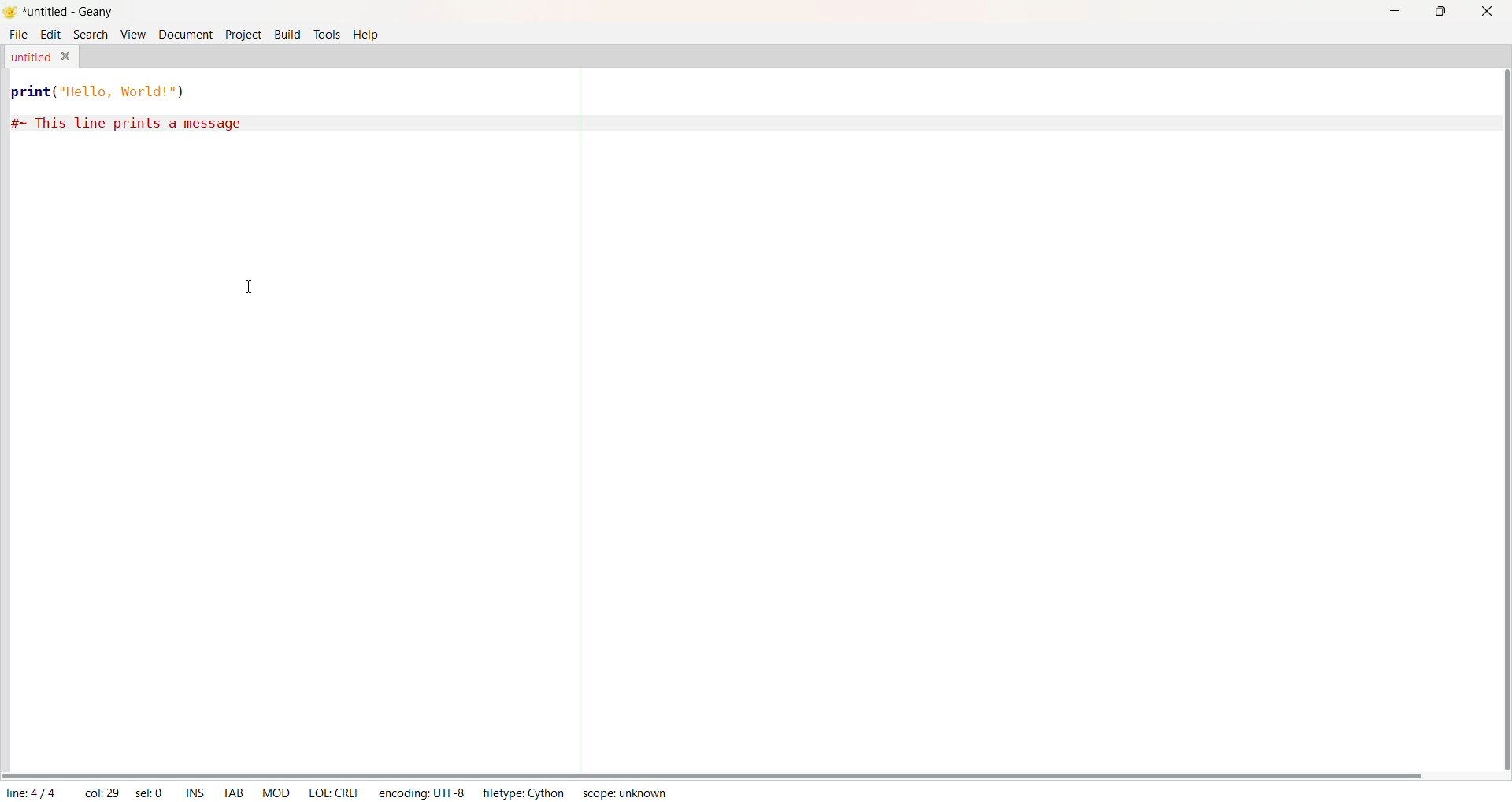  I want to click on Close, so click(1485, 12).